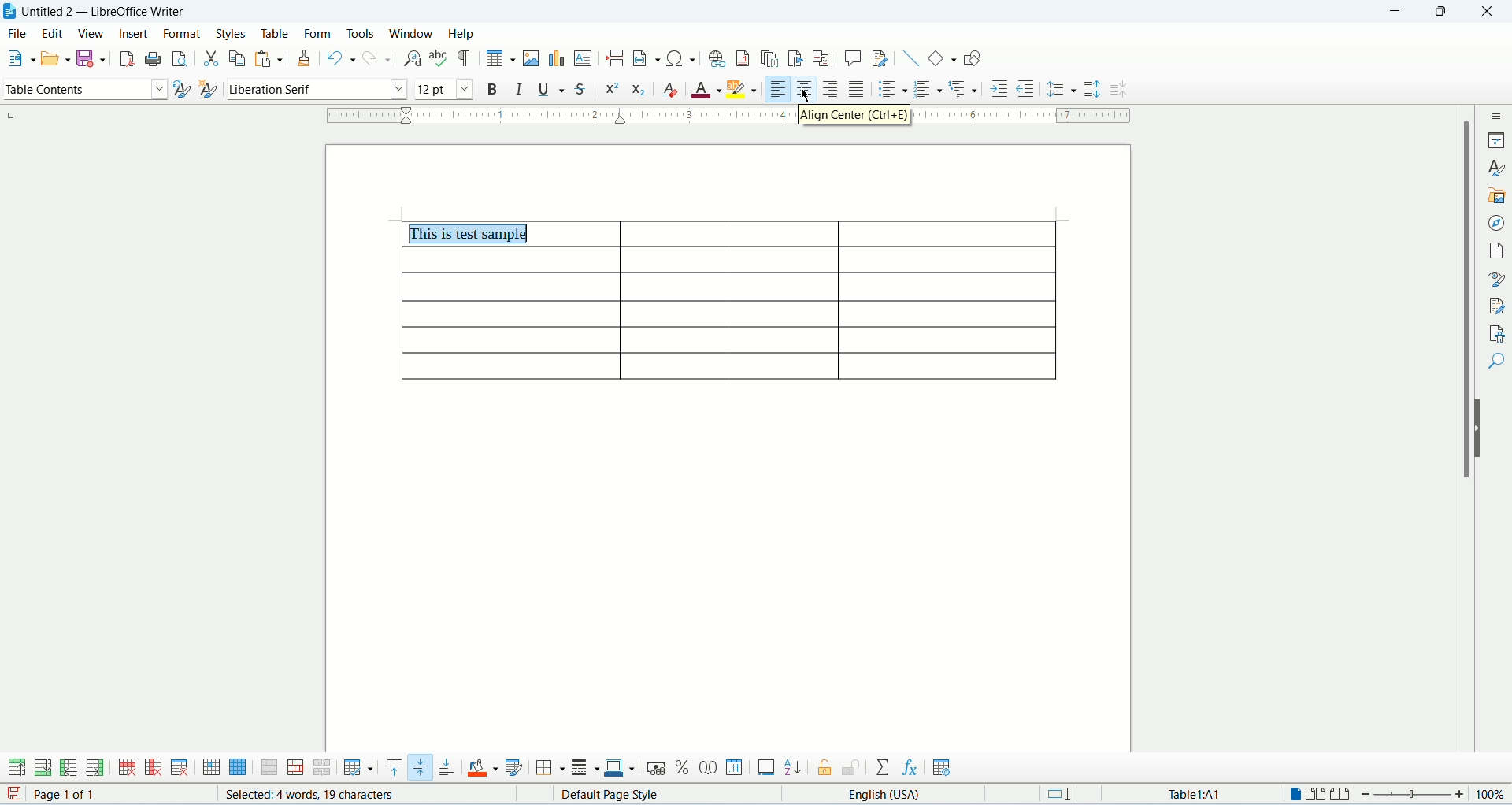 The width and height of the screenshot is (1512, 805). I want to click on export as pdf, so click(127, 58).